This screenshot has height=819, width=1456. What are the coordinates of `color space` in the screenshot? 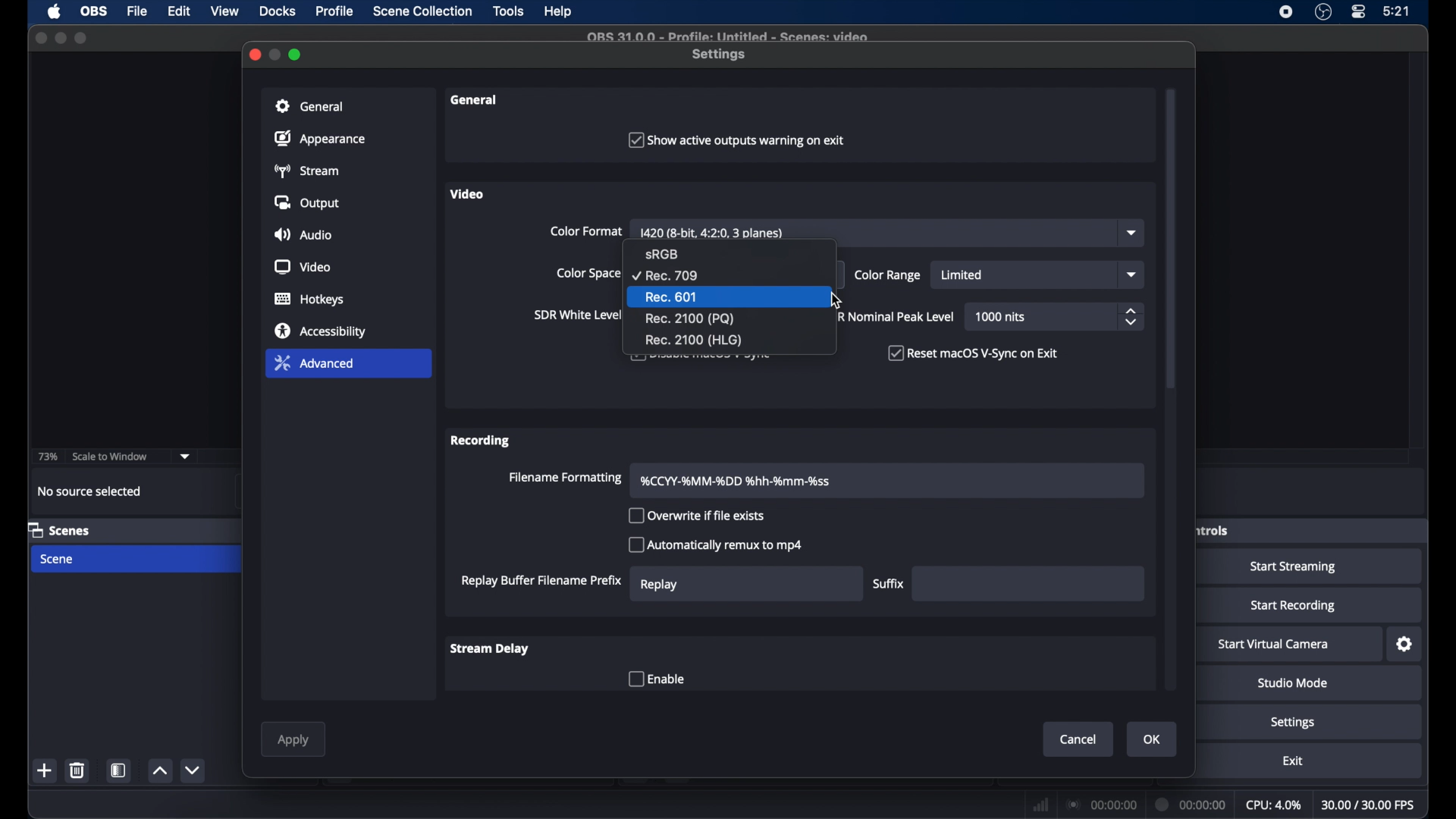 It's located at (588, 273).